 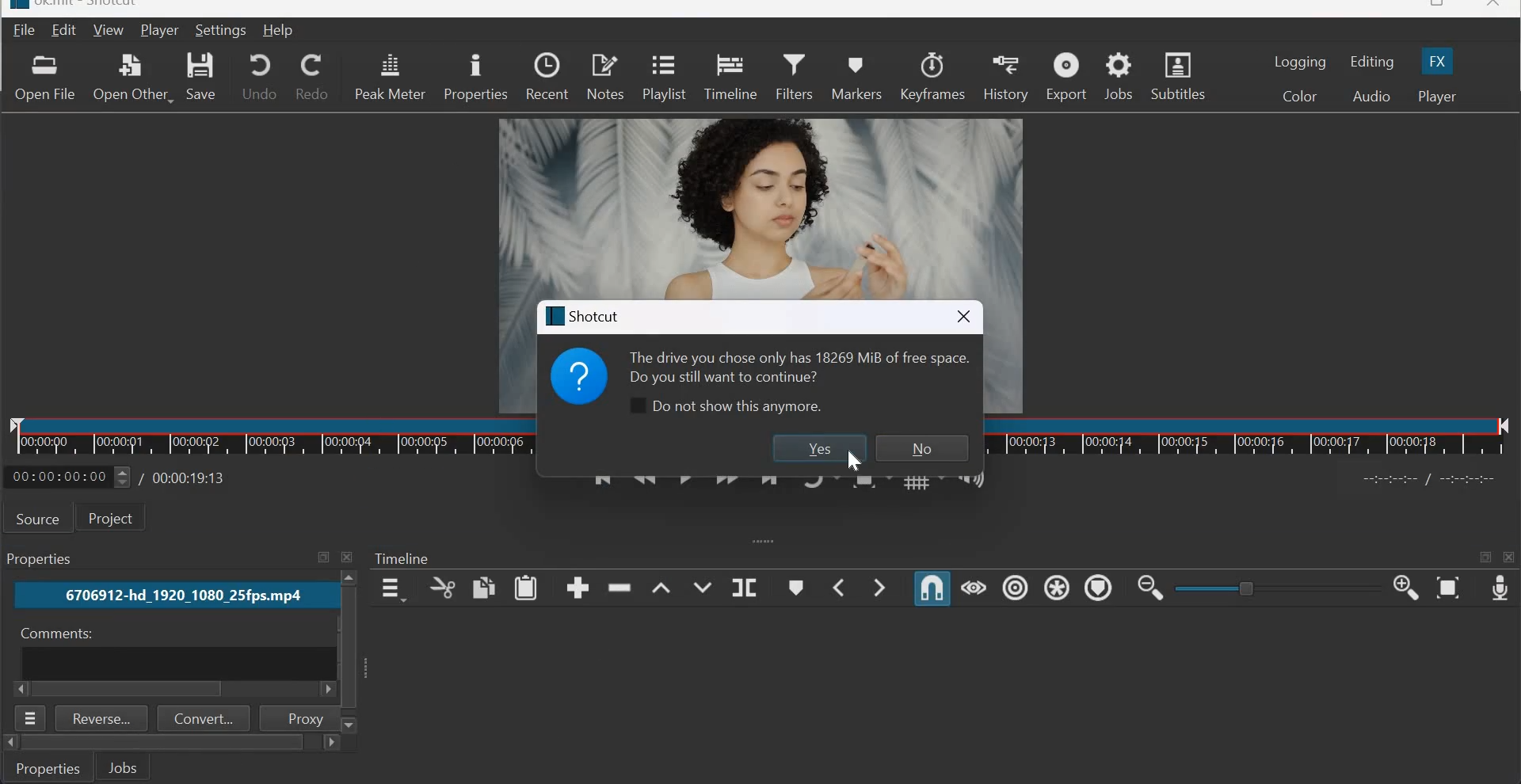 What do you see at coordinates (204, 718) in the screenshot?
I see `convert` at bounding box center [204, 718].